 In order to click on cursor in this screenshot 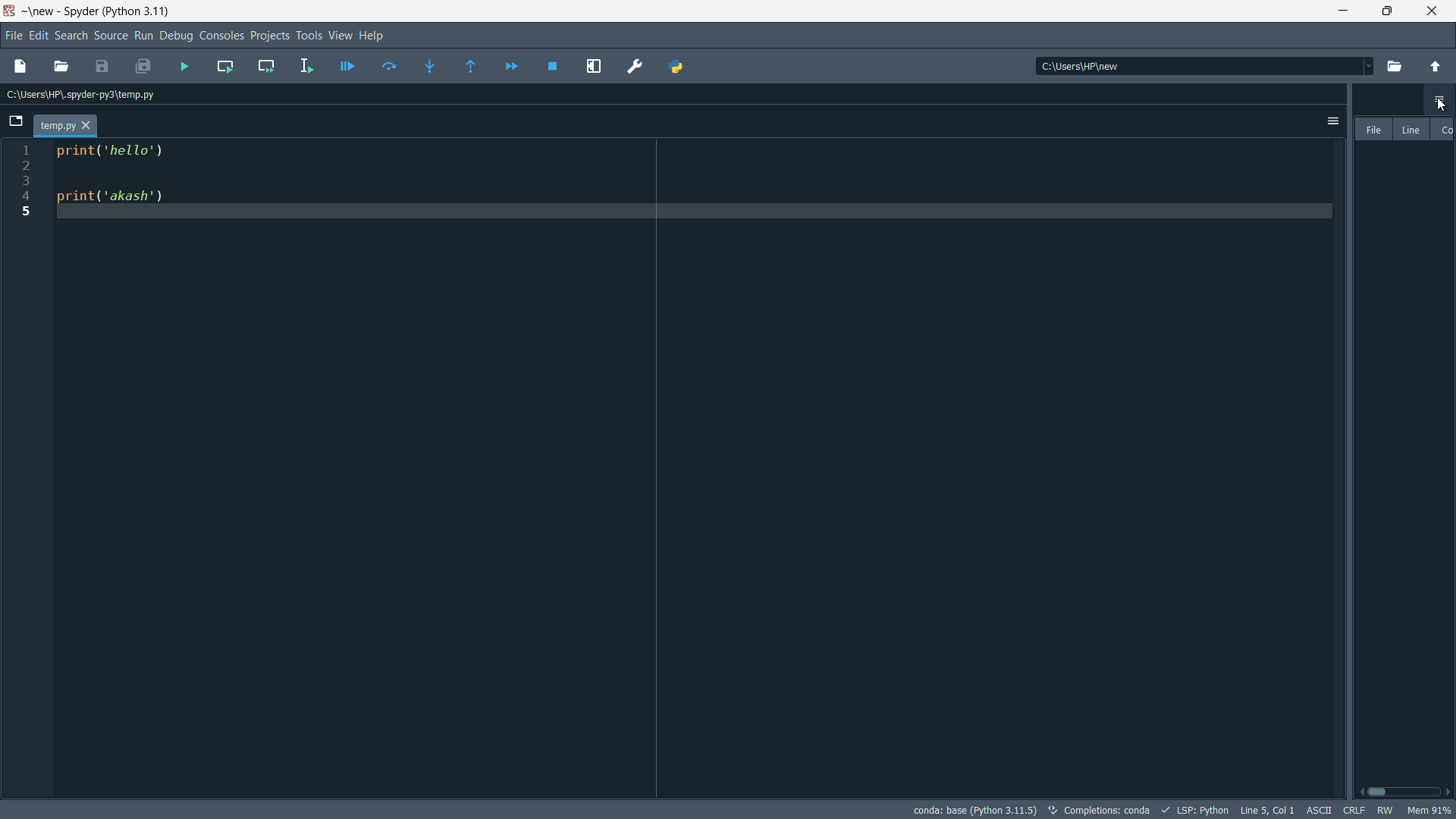, I will do `click(1442, 107)`.